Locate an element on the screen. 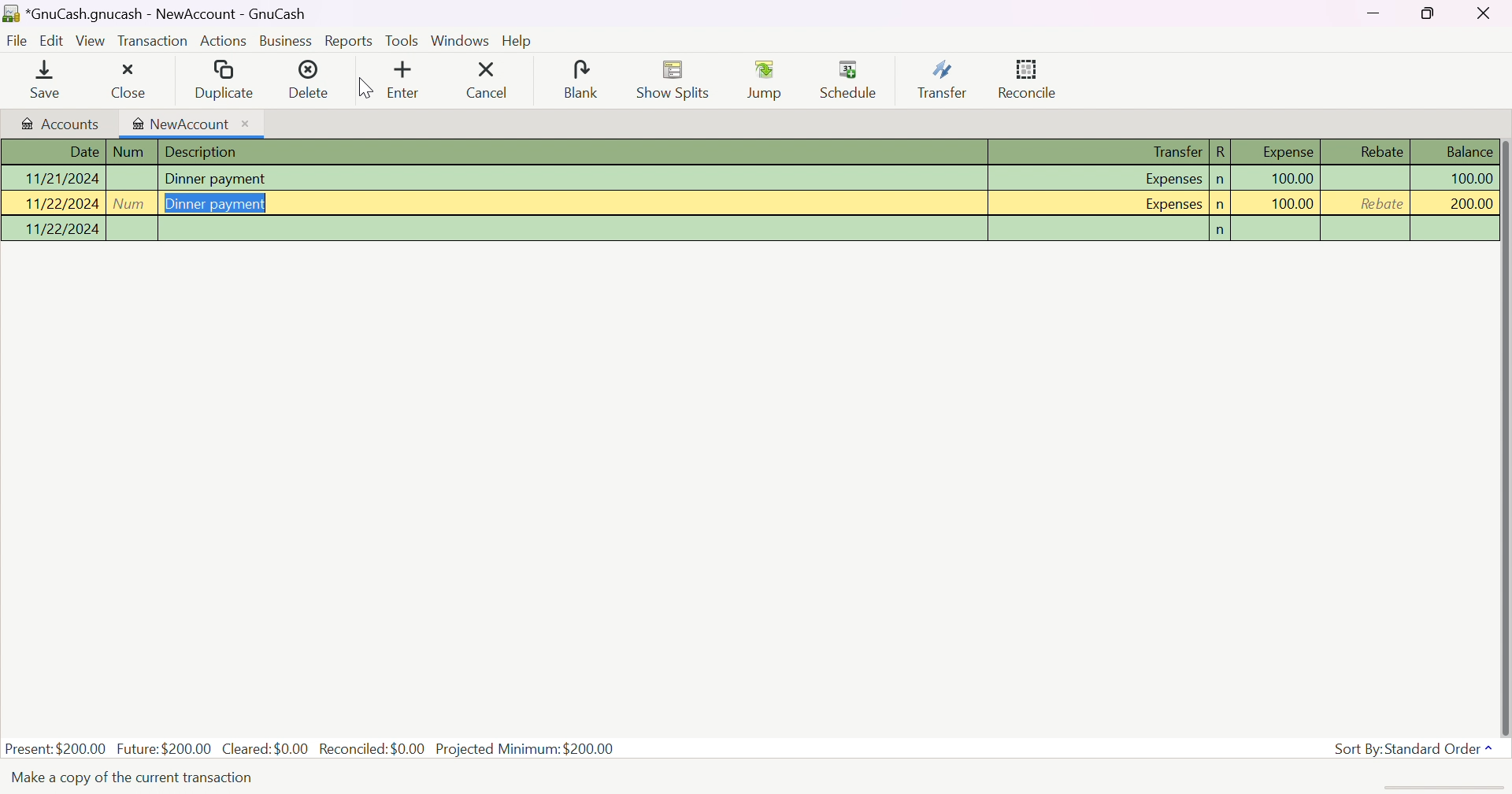 The image size is (1512, 794). Tools is located at coordinates (402, 42).